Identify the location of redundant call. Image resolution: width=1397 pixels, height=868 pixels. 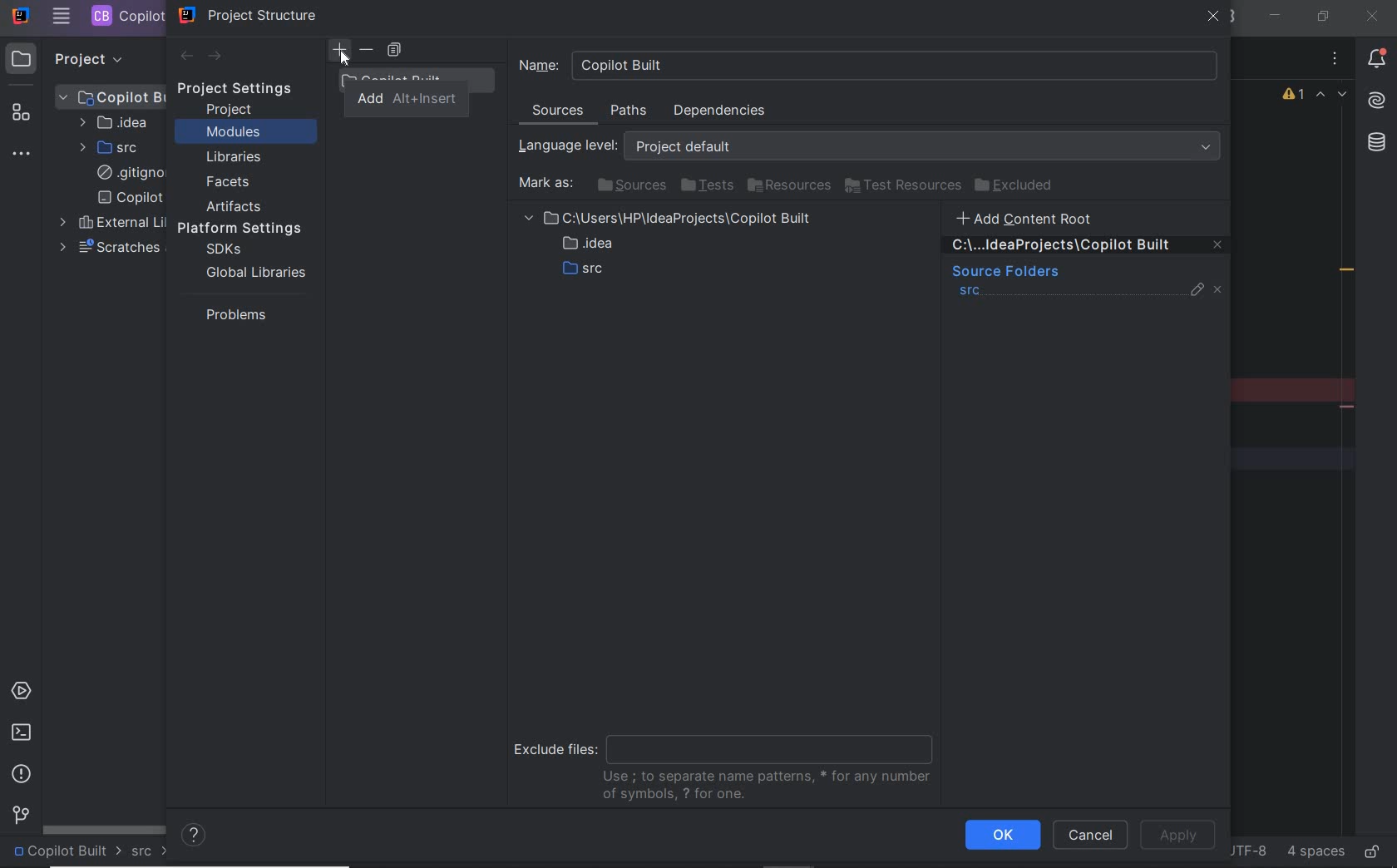
(1347, 272).